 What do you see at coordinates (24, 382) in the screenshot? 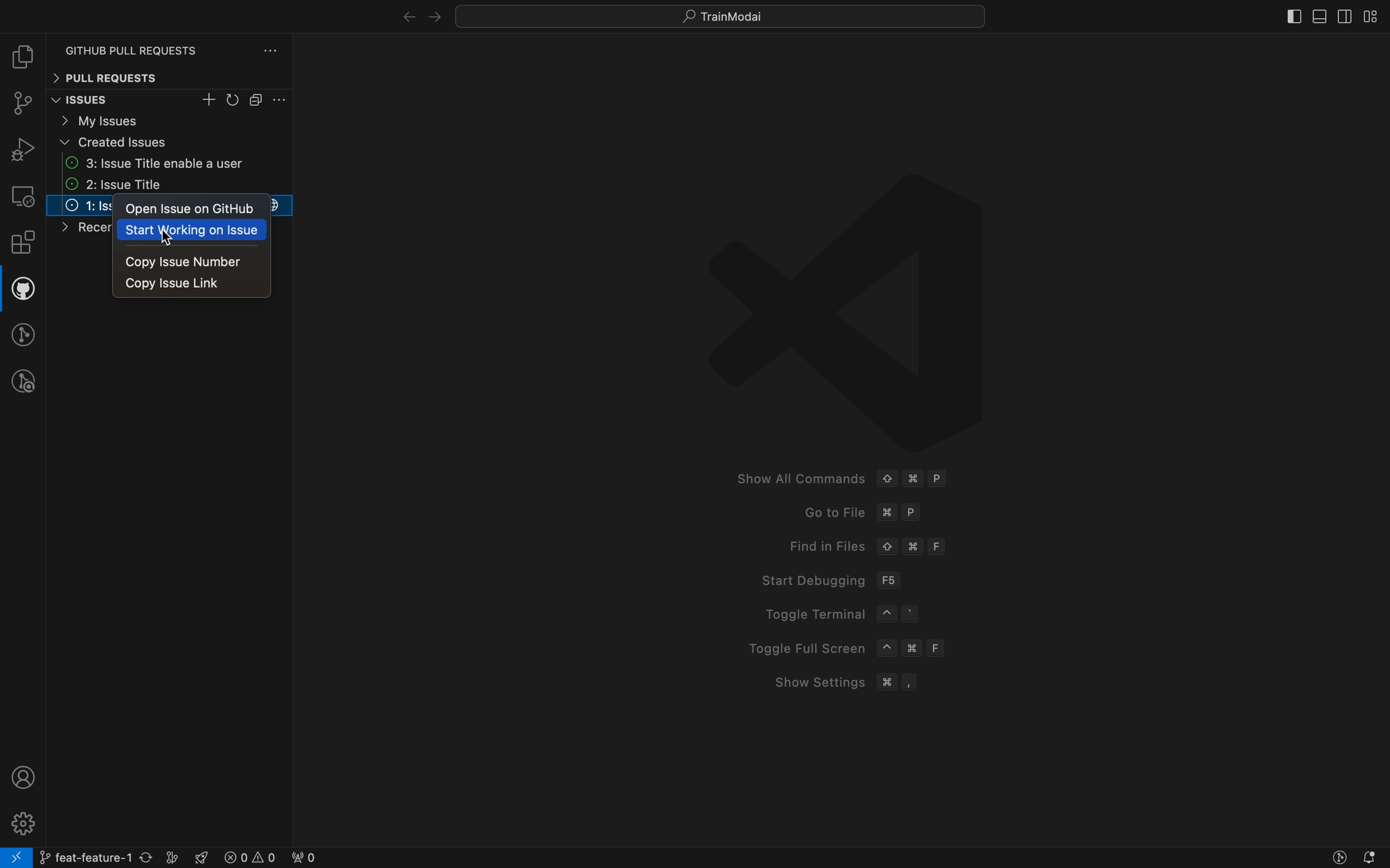
I see `git lens inspect ` at bounding box center [24, 382].